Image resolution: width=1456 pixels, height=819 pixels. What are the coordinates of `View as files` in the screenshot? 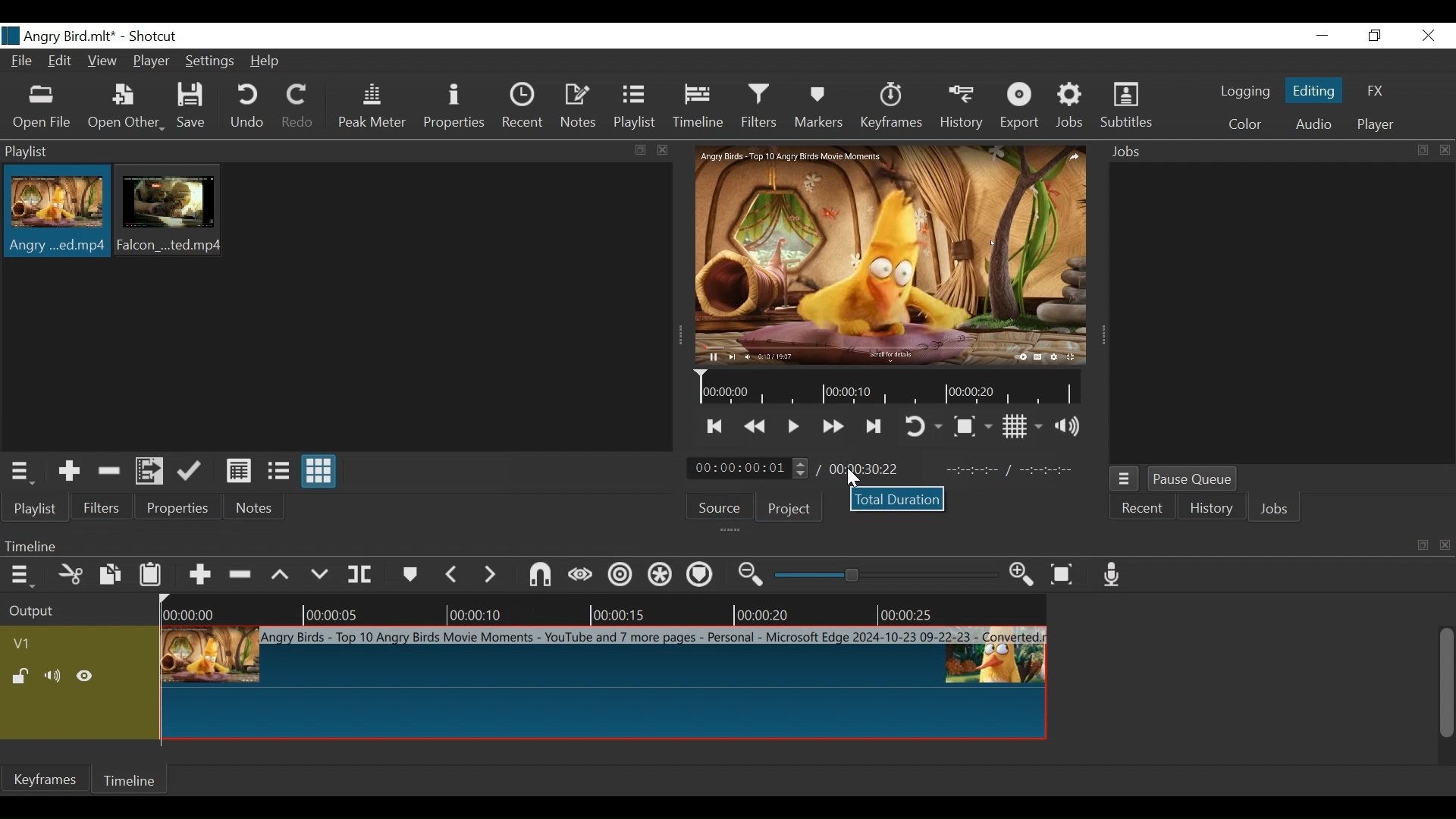 It's located at (280, 469).